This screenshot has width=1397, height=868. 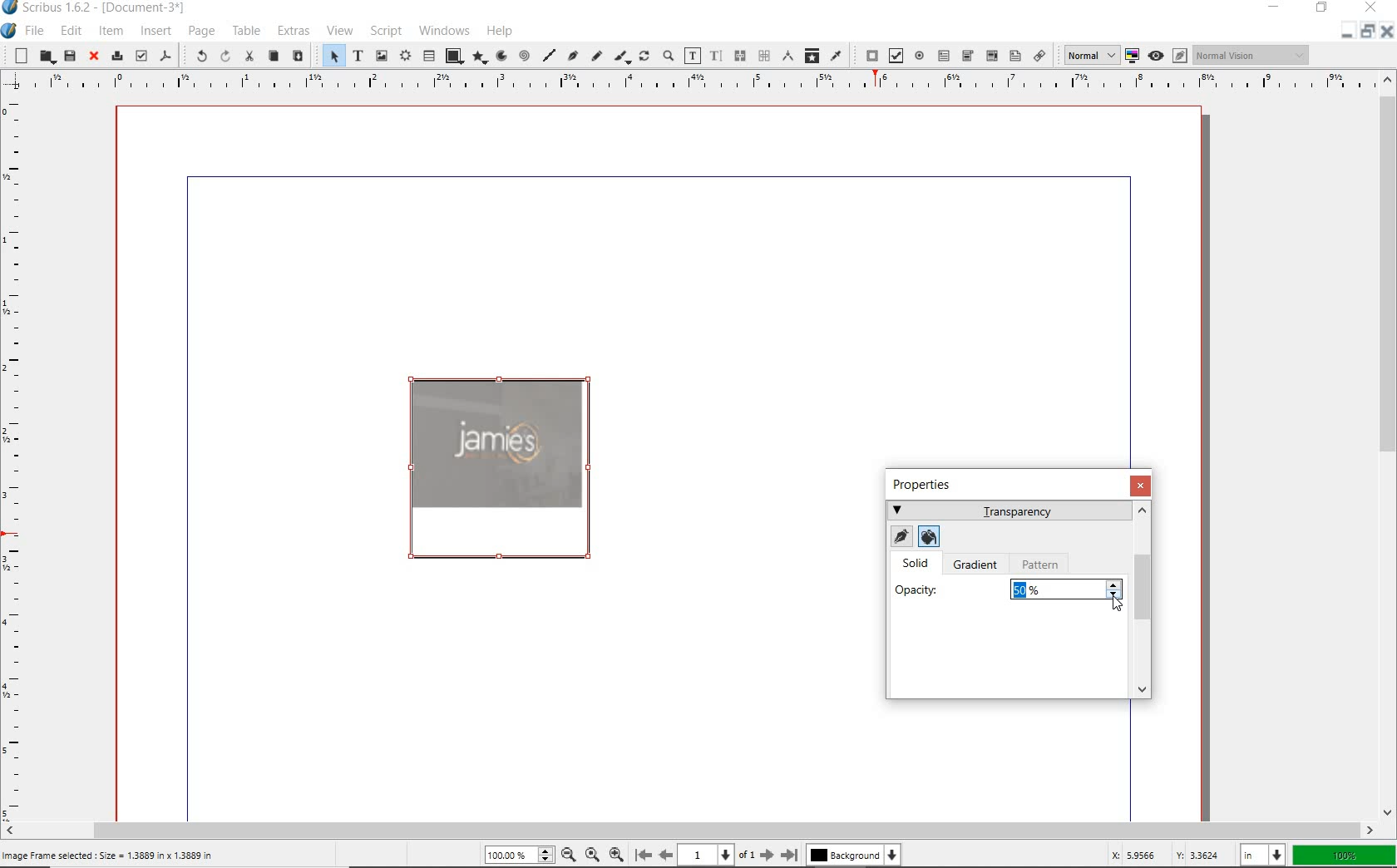 I want to click on edit contents of frame, so click(x=692, y=55).